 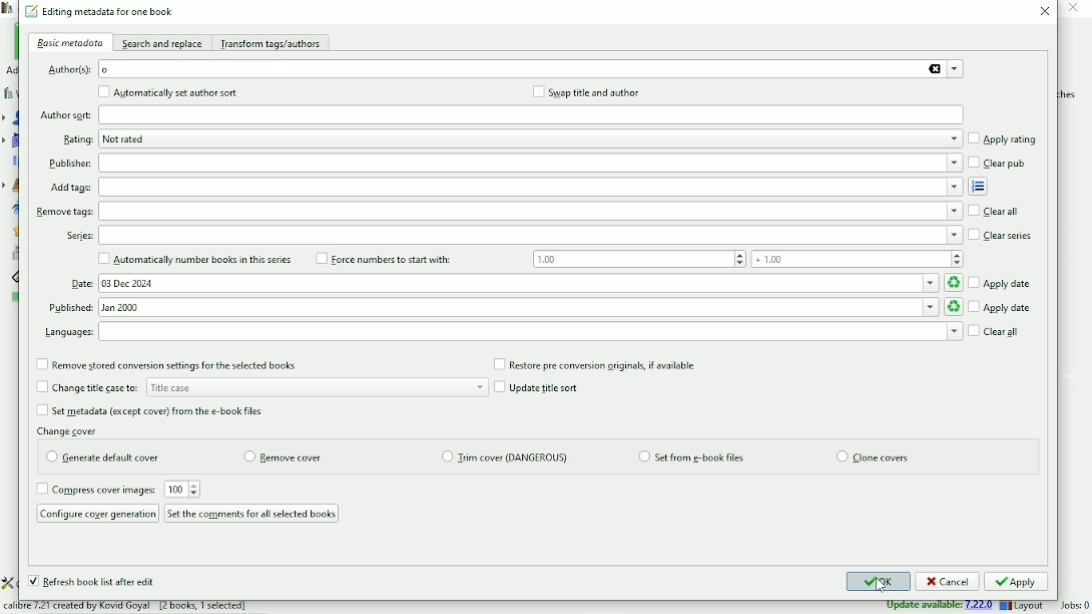 What do you see at coordinates (947, 582) in the screenshot?
I see `Cancel` at bounding box center [947, 582].